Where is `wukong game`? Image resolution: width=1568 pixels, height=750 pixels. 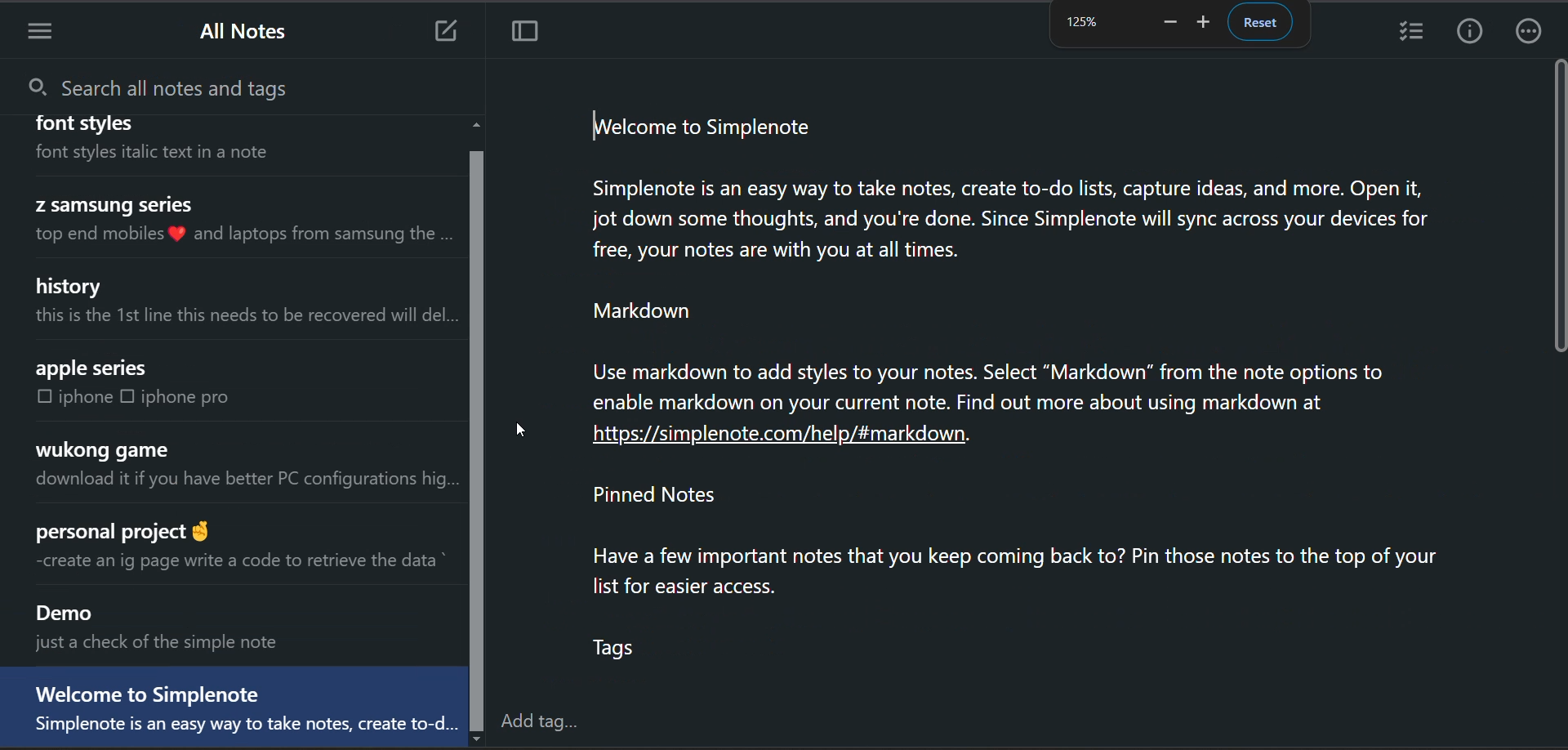 wukong game is located at coordinates (104, 447).